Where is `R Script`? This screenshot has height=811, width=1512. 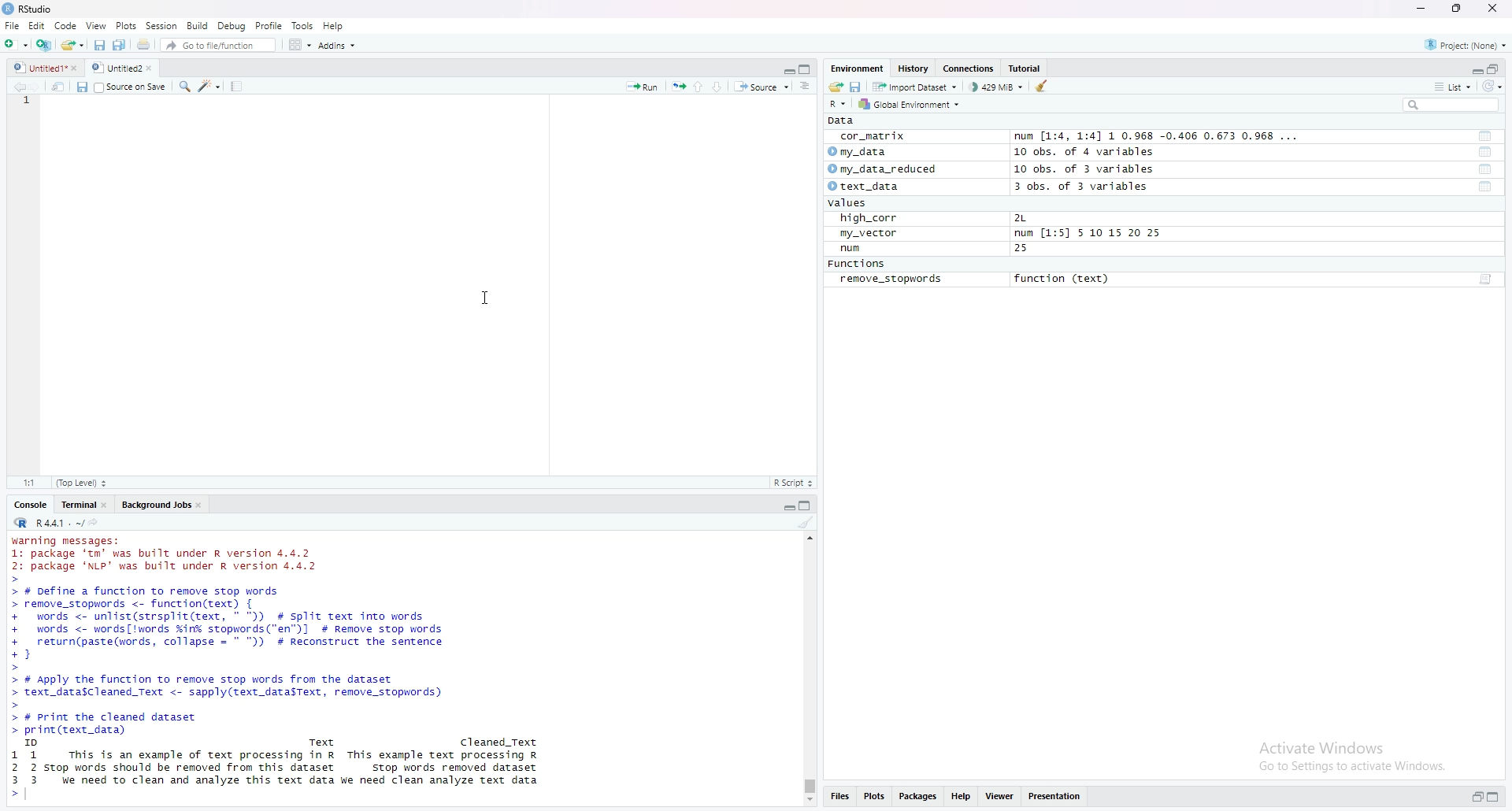
R Script is located at coordinates (795, 483).